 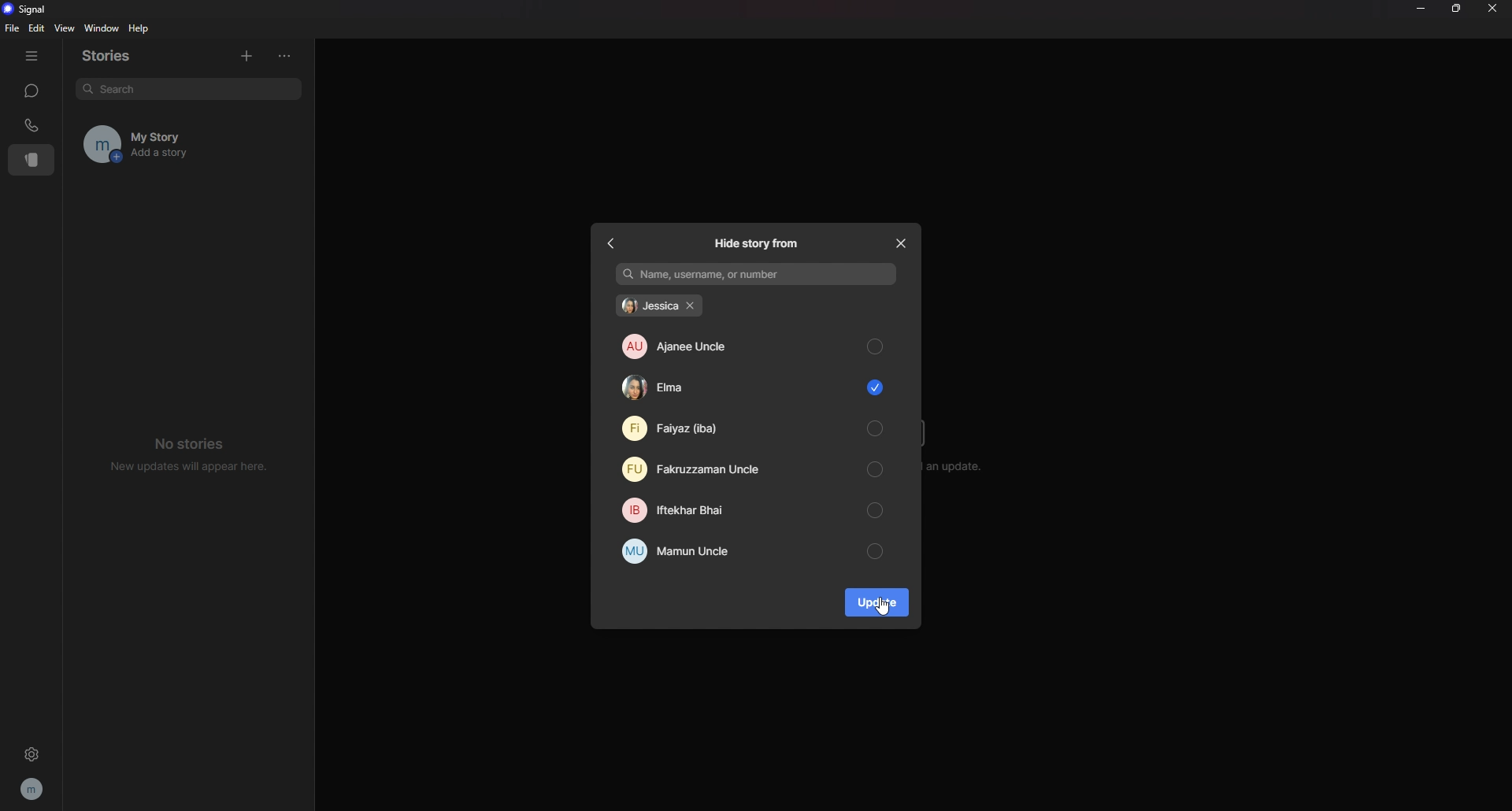 I want to click on cursor, so click(x=884, y=604).